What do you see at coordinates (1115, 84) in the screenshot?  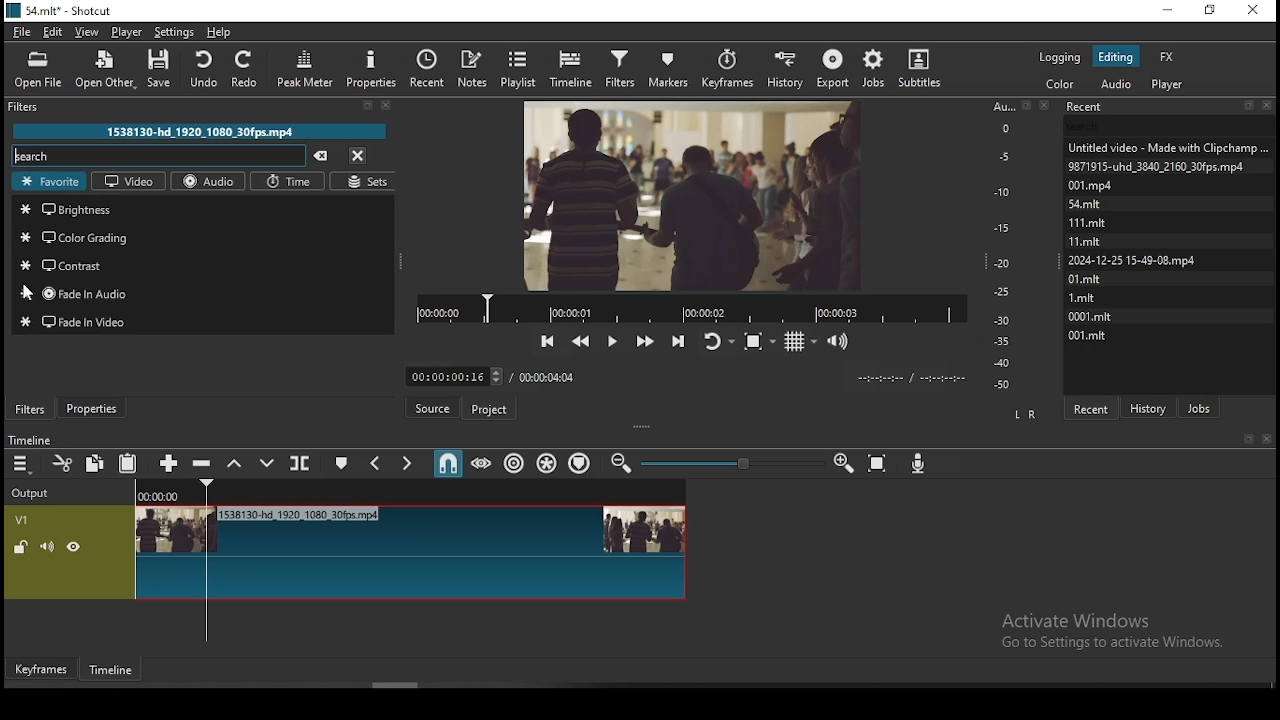 I see `audio` at bounding box center [1115, 84].